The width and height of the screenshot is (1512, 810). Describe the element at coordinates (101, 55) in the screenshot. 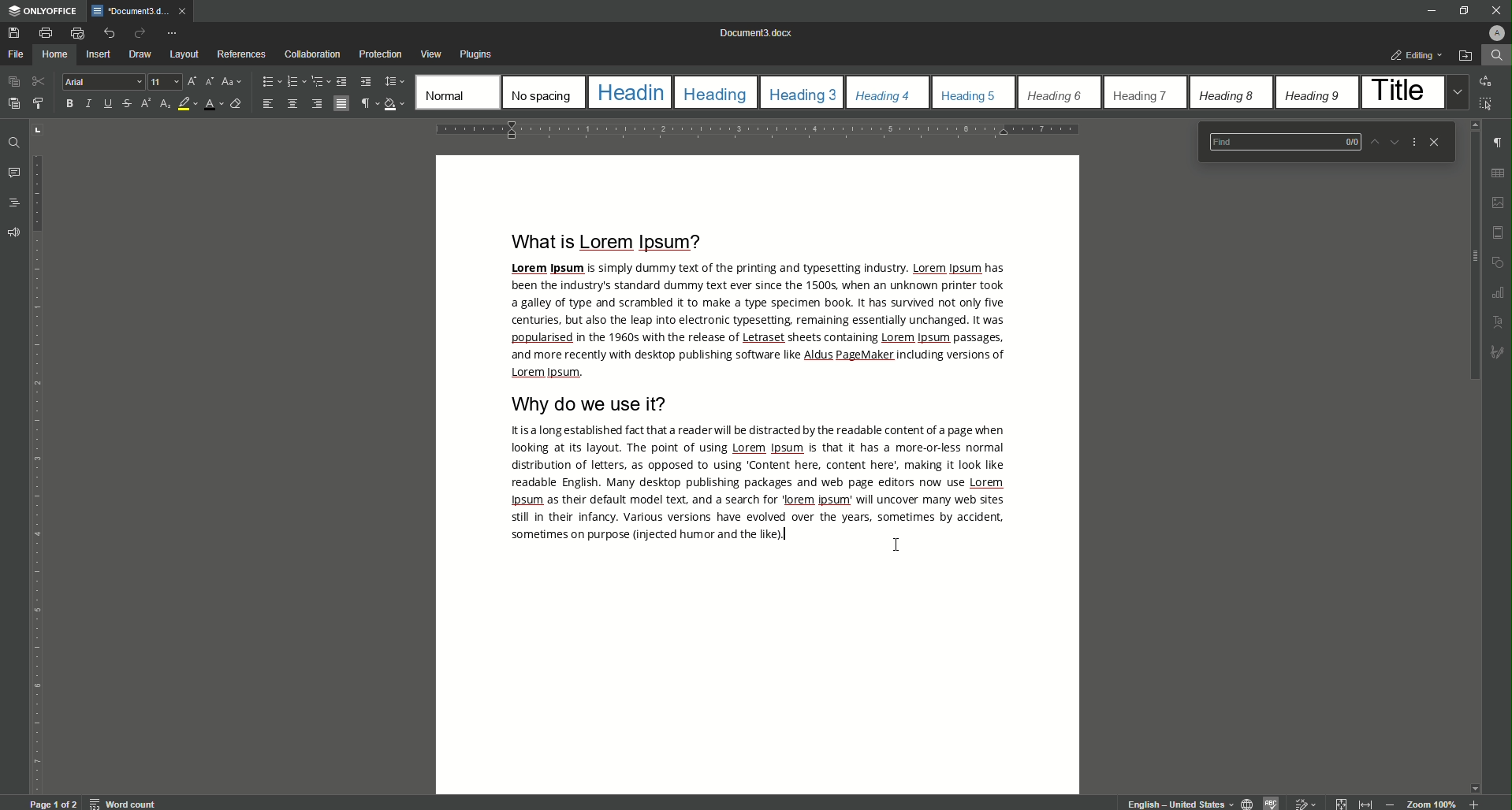

I see `Insert` at that location.